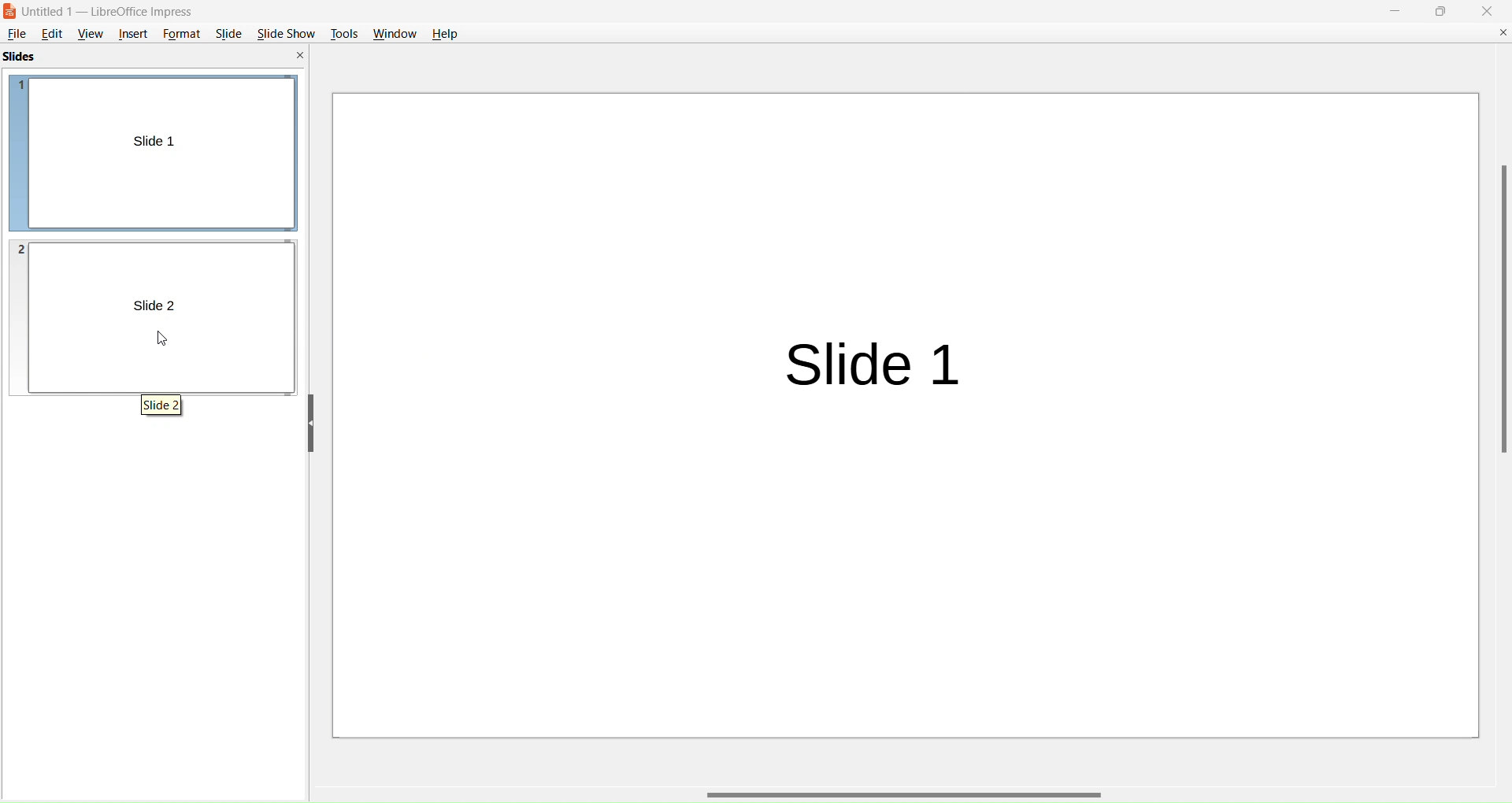  I want to click on close document, so click(1501, 33).